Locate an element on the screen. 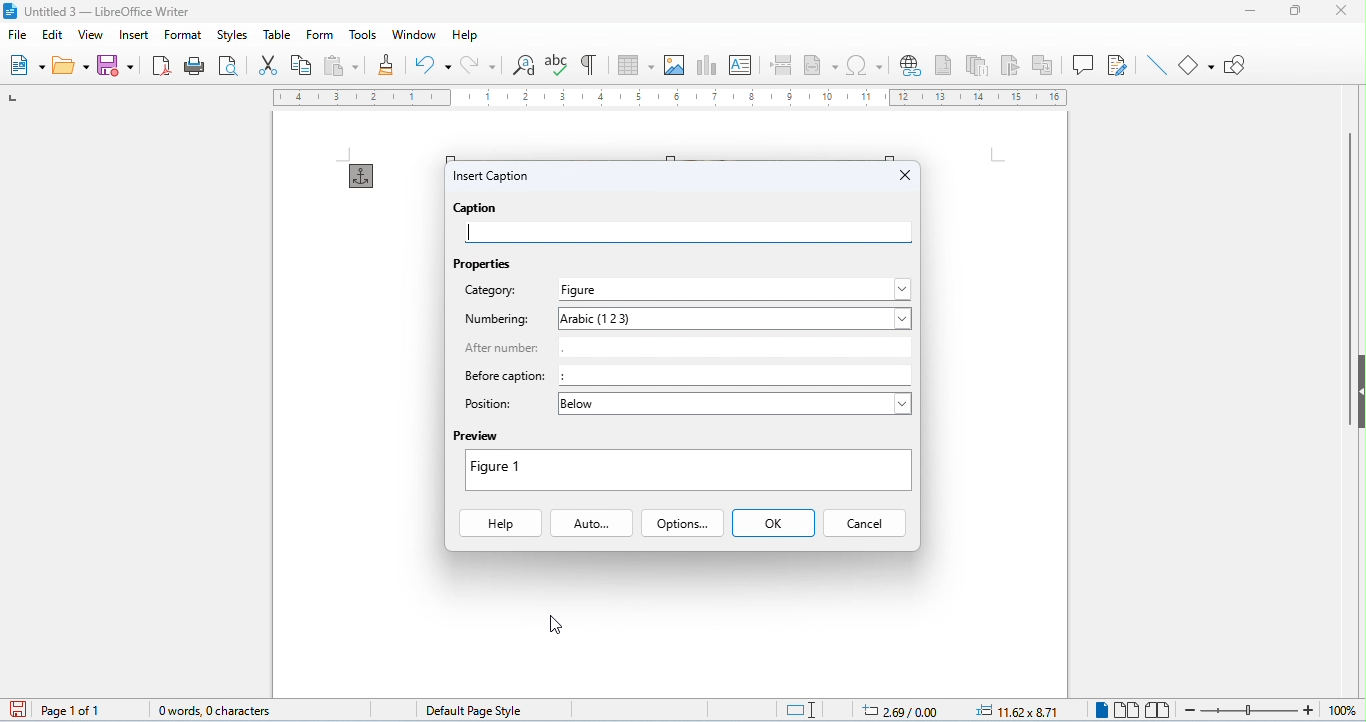 This screenshot has height=722, width=1366. standard selection is located at coordinates (801, 710).